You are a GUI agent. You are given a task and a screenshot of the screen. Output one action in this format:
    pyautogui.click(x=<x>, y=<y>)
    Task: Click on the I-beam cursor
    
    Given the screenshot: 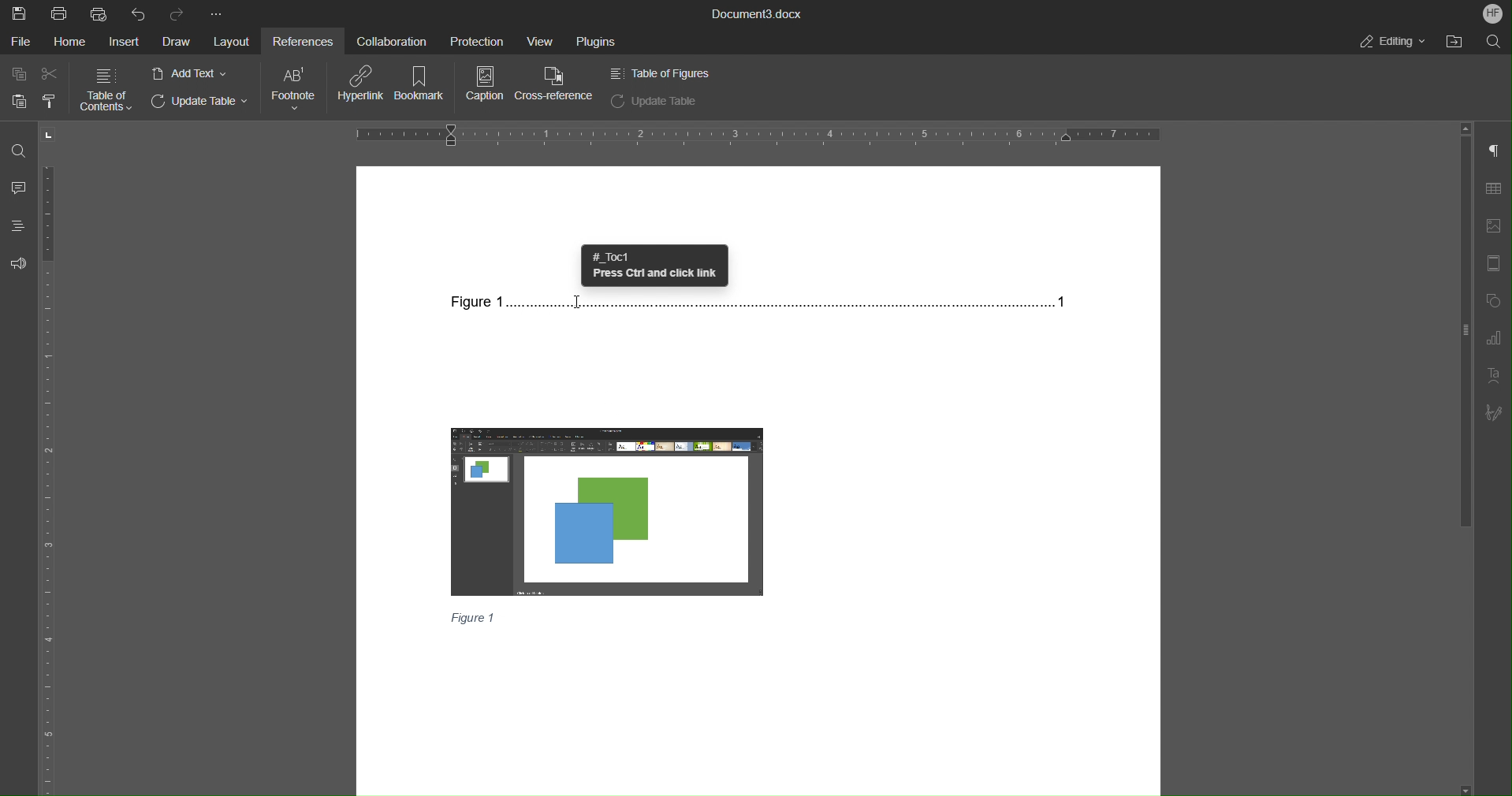 What is the action you would take?
    pyautogui.click(x=580, y=307)
    